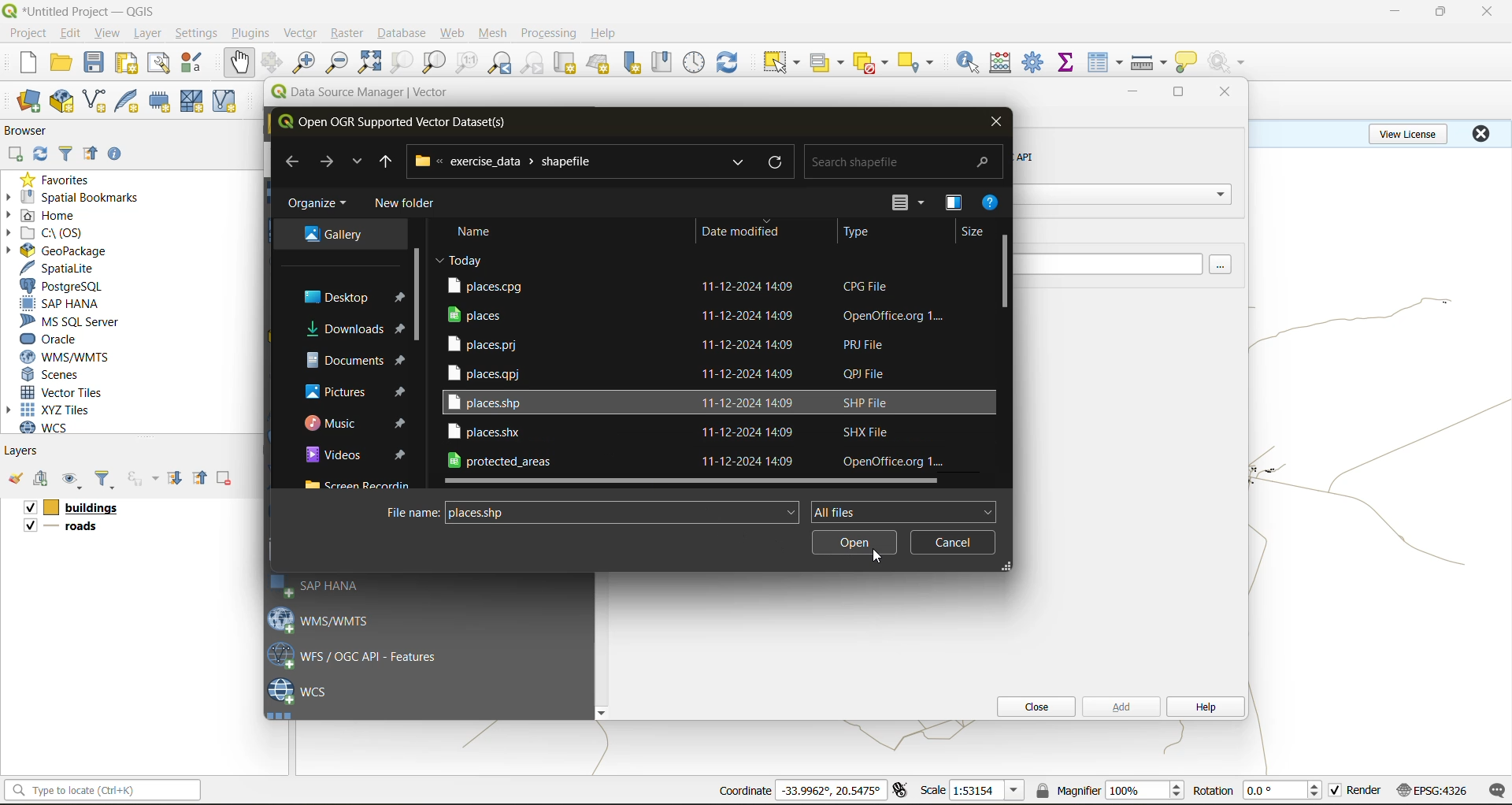  I want to click on layers, so click(88, 508).